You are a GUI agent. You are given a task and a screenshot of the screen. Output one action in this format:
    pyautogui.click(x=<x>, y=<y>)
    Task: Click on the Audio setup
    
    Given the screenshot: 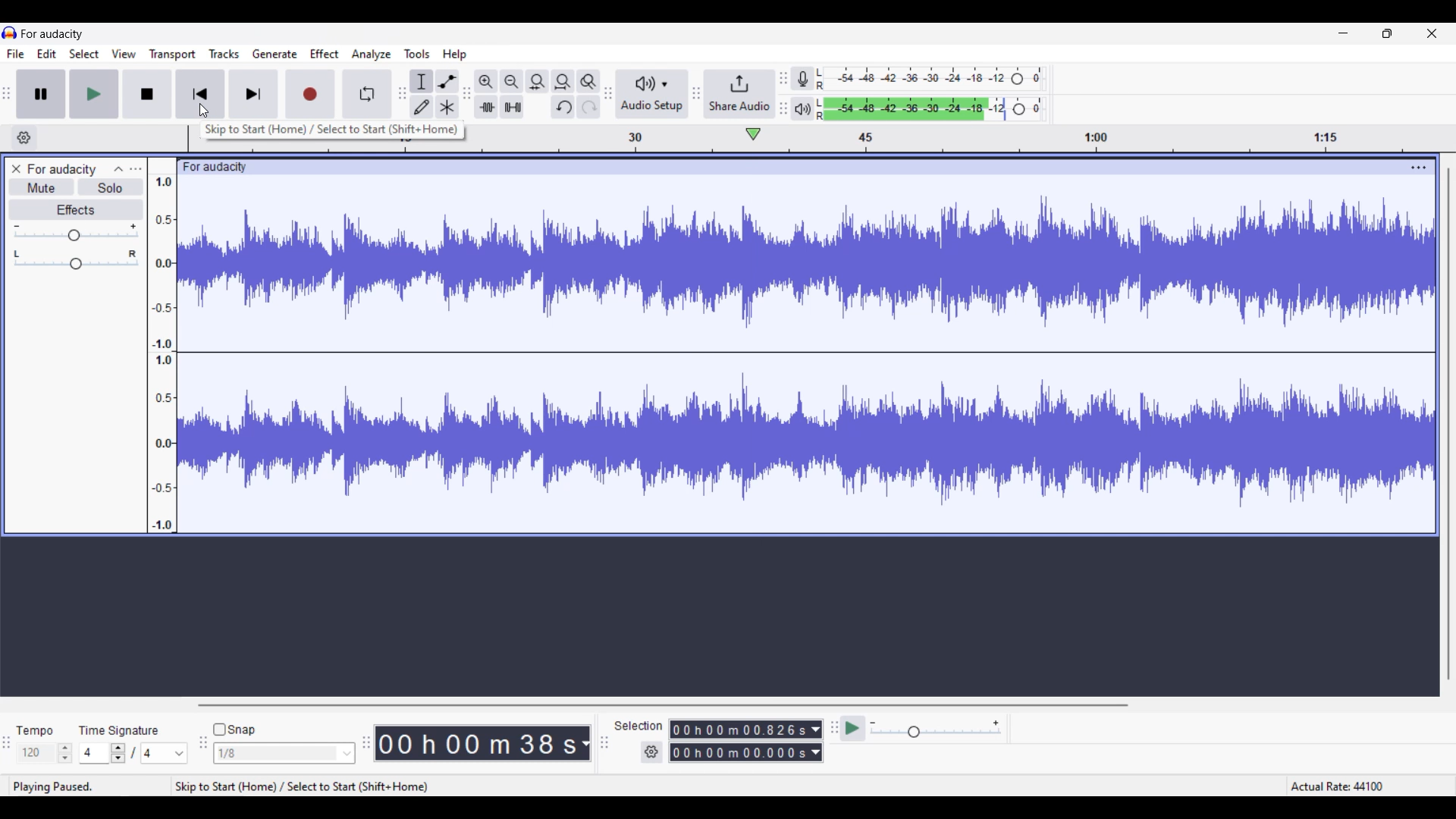 What is the action you would take?
    pyautogui.click(x=653, y=93)
    